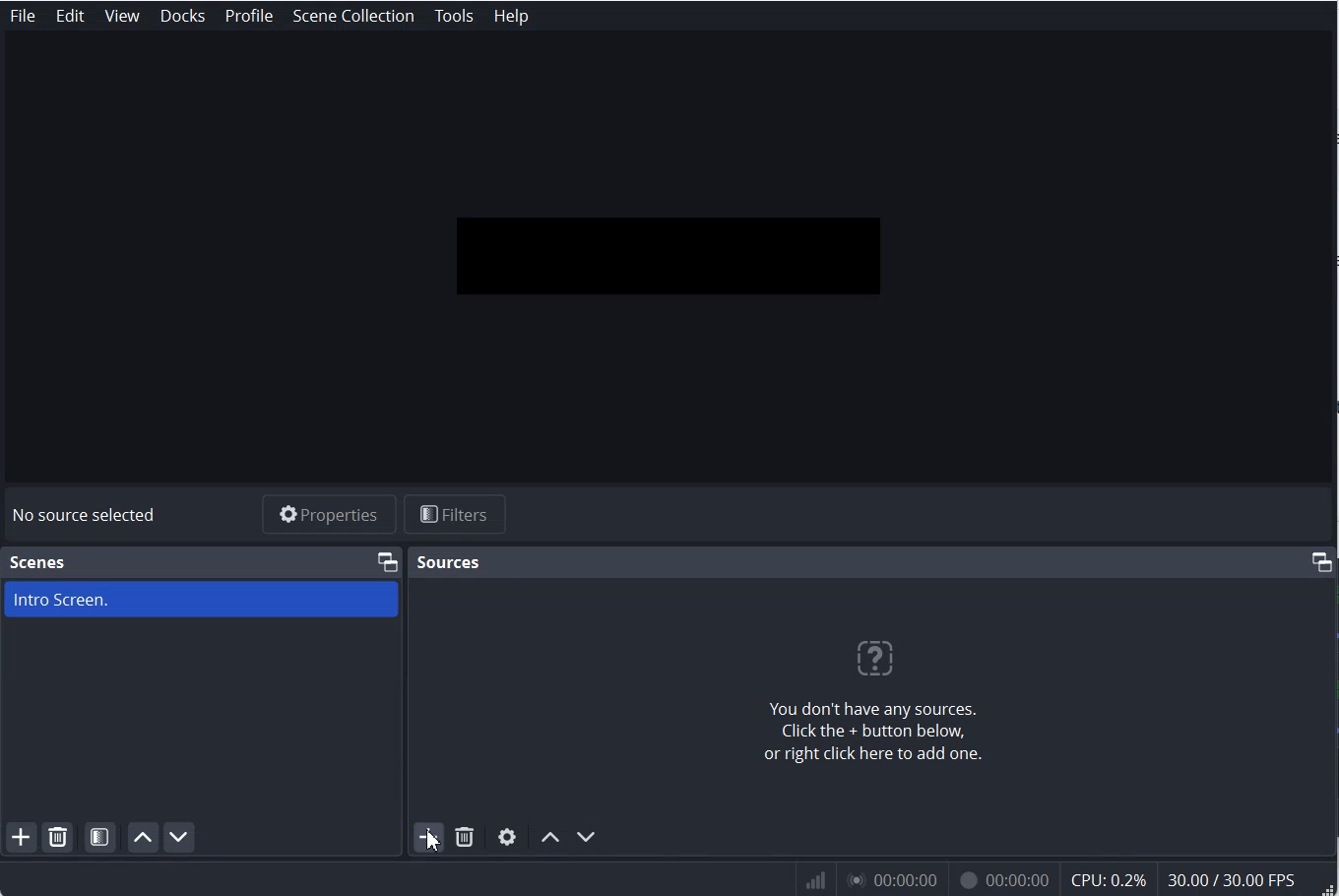 This screenshot has width=1339, height=896. Describe the element at coordinates (1235, 881) in the screenshot. I see `30.00/ 30` at that location.